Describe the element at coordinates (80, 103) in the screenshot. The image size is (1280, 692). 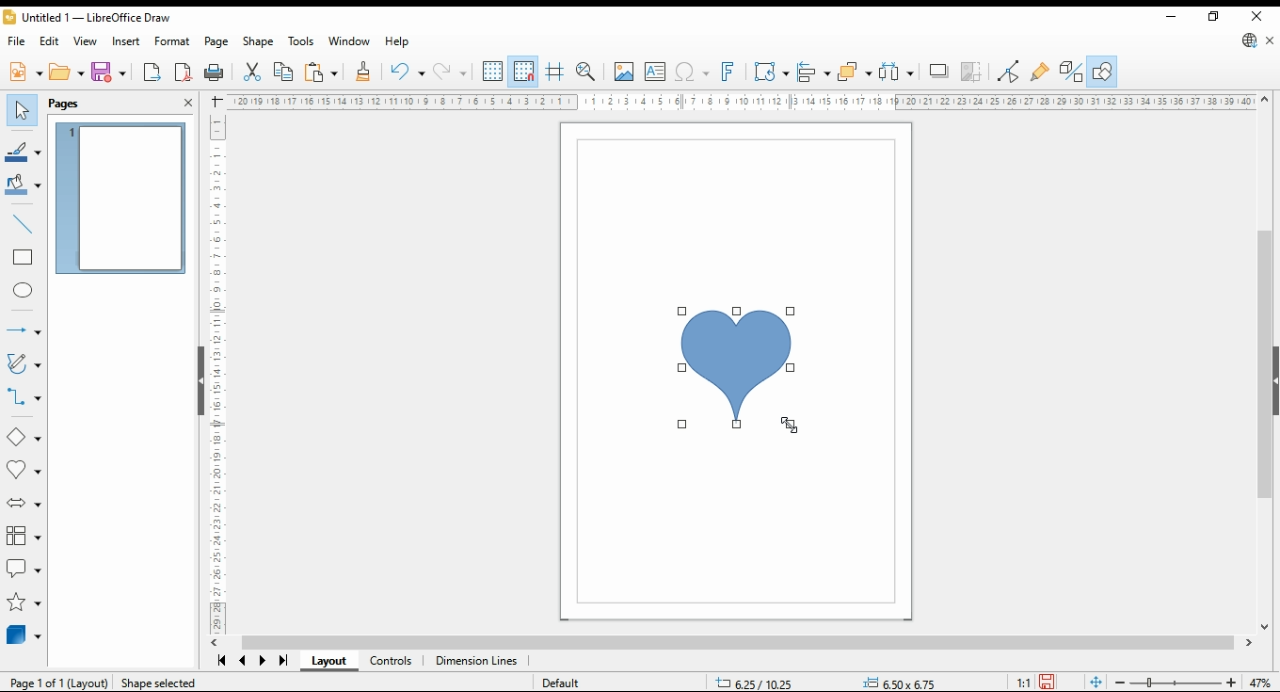
I see `pages` at that location.